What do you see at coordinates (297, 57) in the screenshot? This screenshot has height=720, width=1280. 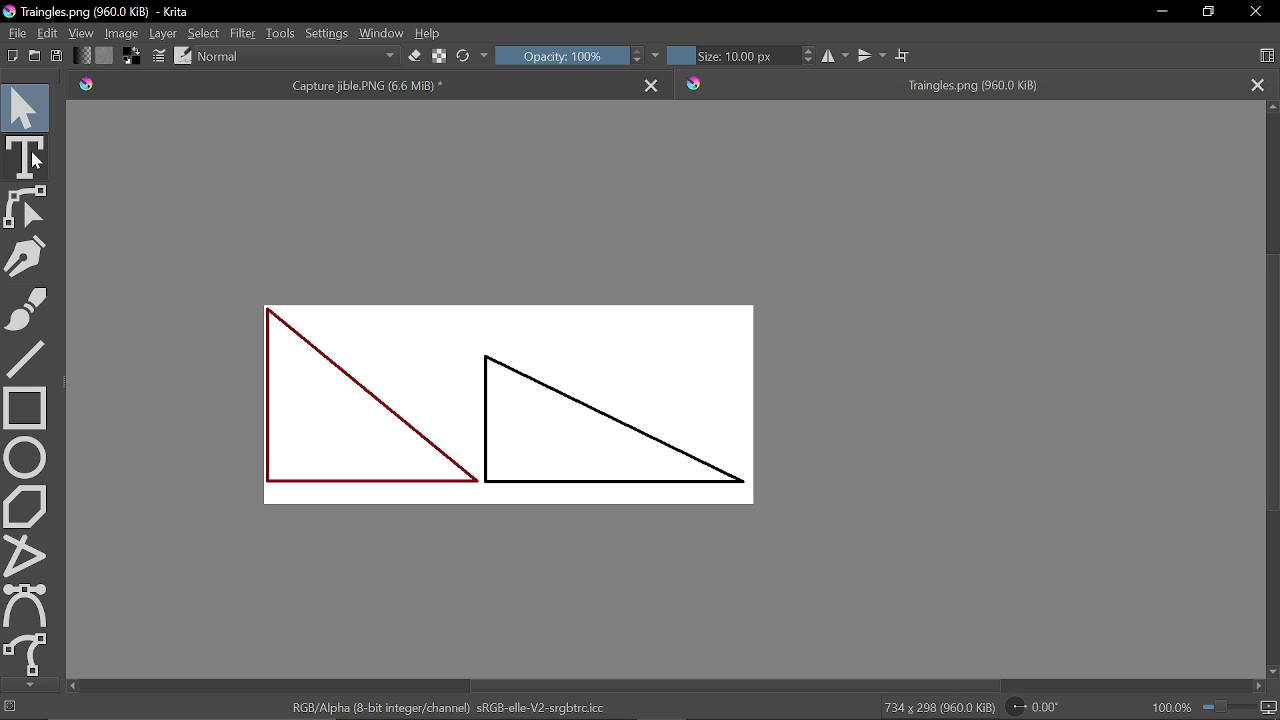 I see `Blending` at bounding box center [297, 57].